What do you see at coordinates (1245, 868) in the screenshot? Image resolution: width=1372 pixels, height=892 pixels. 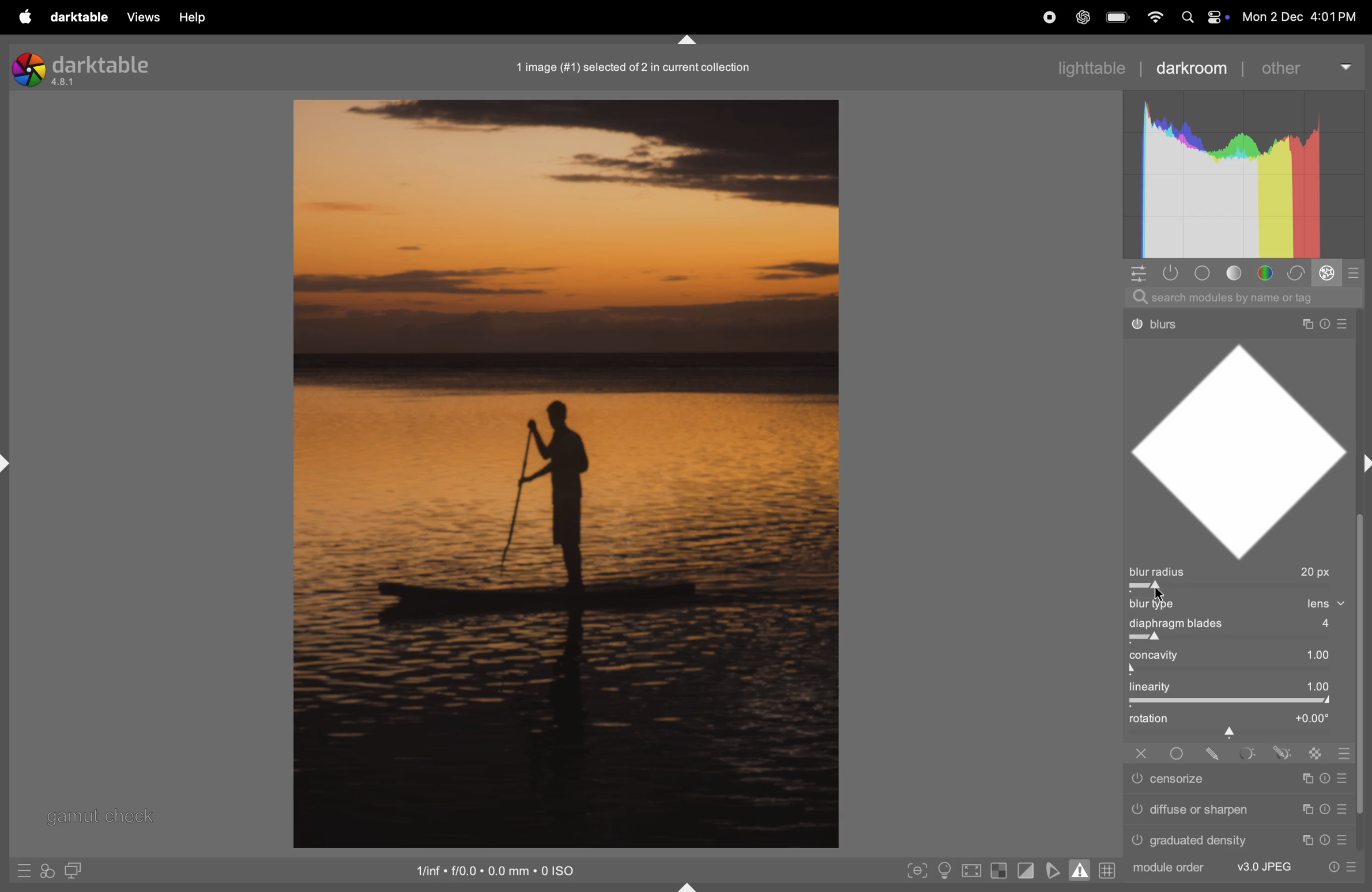 I see `` at bounding box center [1245, 868].